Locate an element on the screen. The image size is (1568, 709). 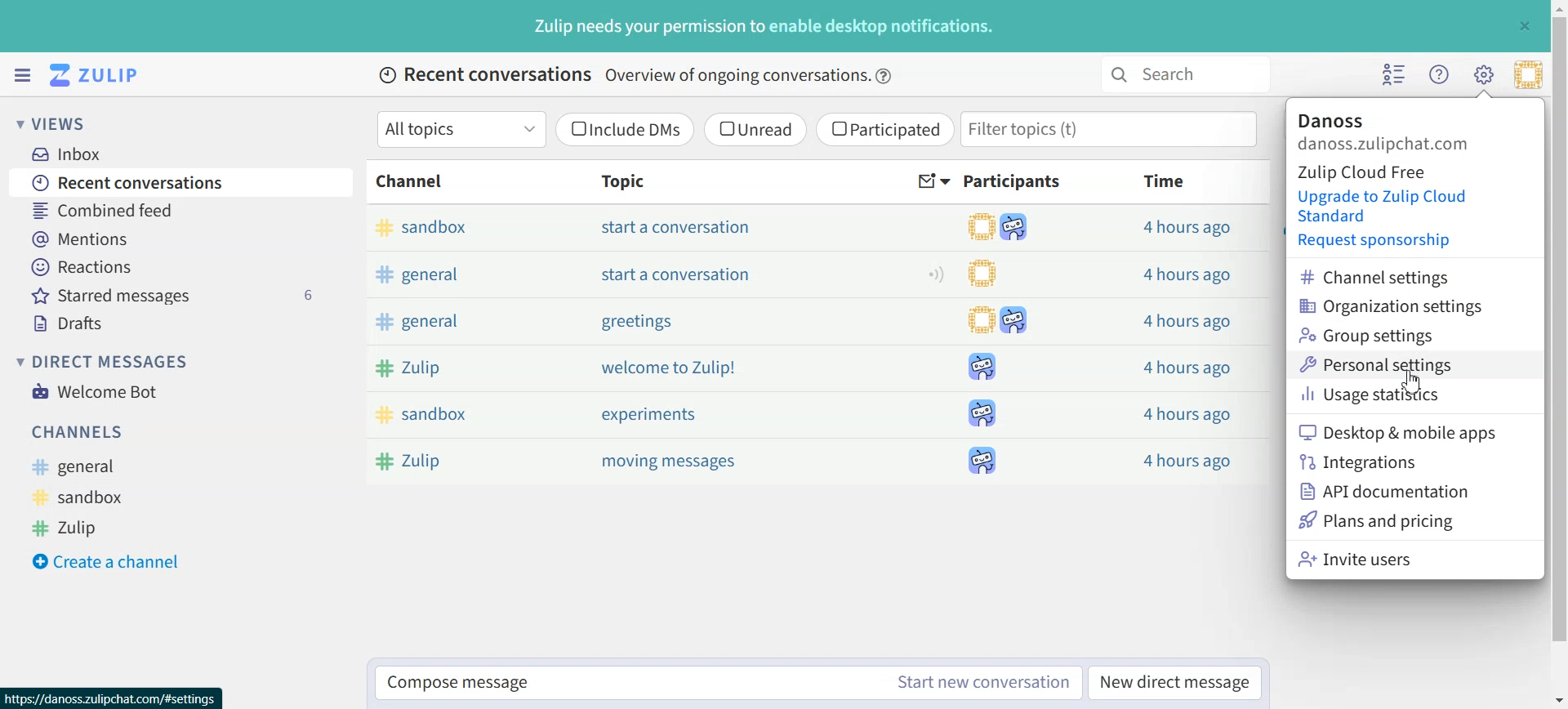
Compose message is located at coordinates (621, 684).